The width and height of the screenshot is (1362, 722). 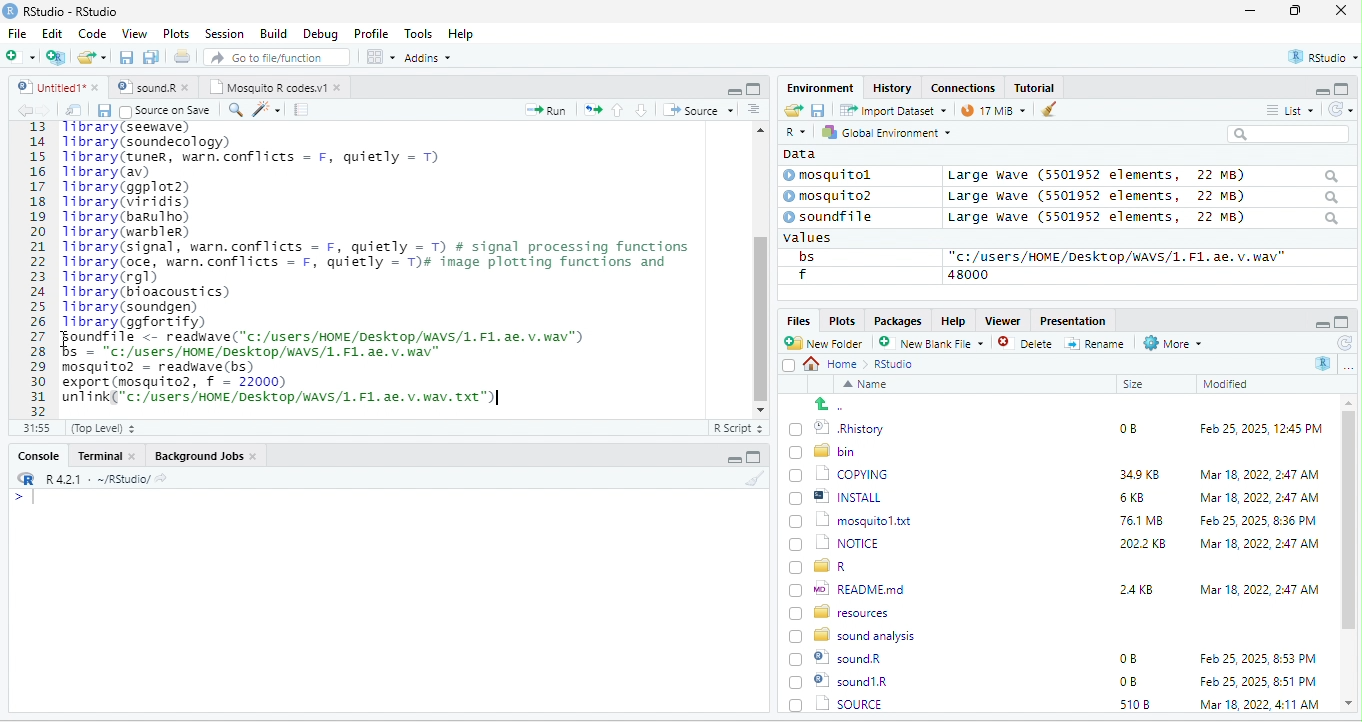 I want to click on refresh, so click(x=1343, y=343).